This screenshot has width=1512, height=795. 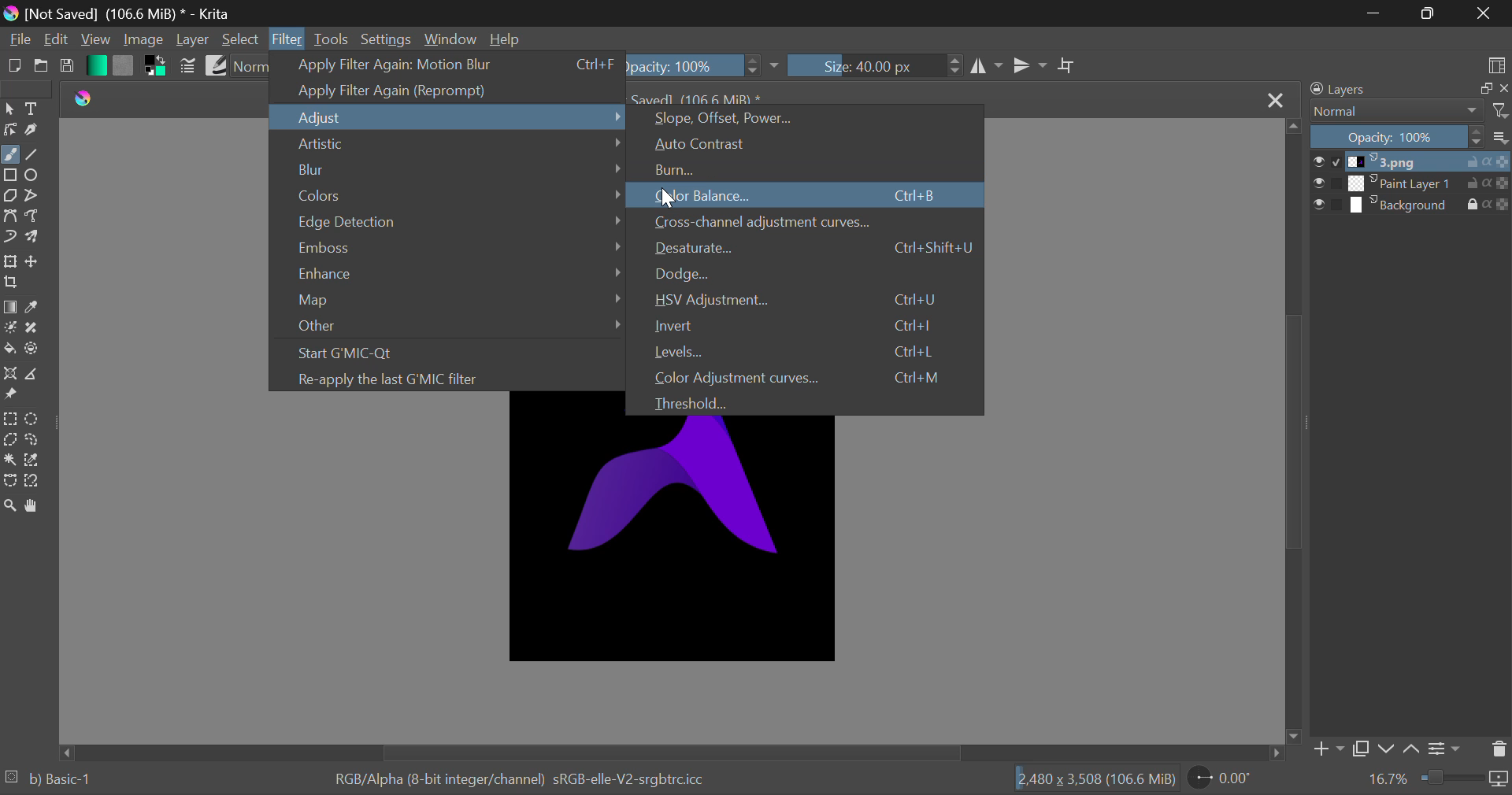 I want to click on Colorize Mask Tool, so click(x=11, y=329).